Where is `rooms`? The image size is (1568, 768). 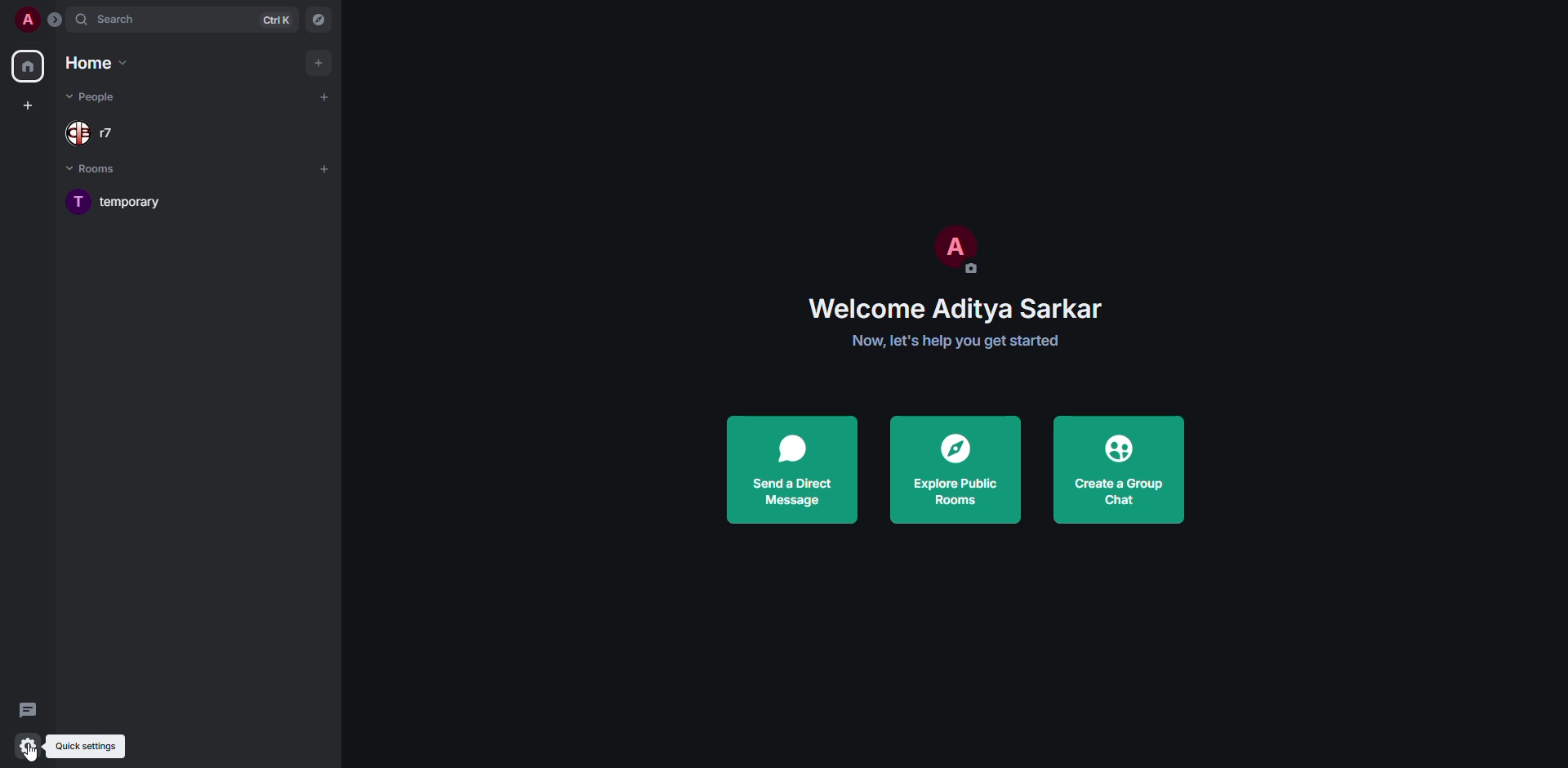
rooms is located at coordinates (95, 169).